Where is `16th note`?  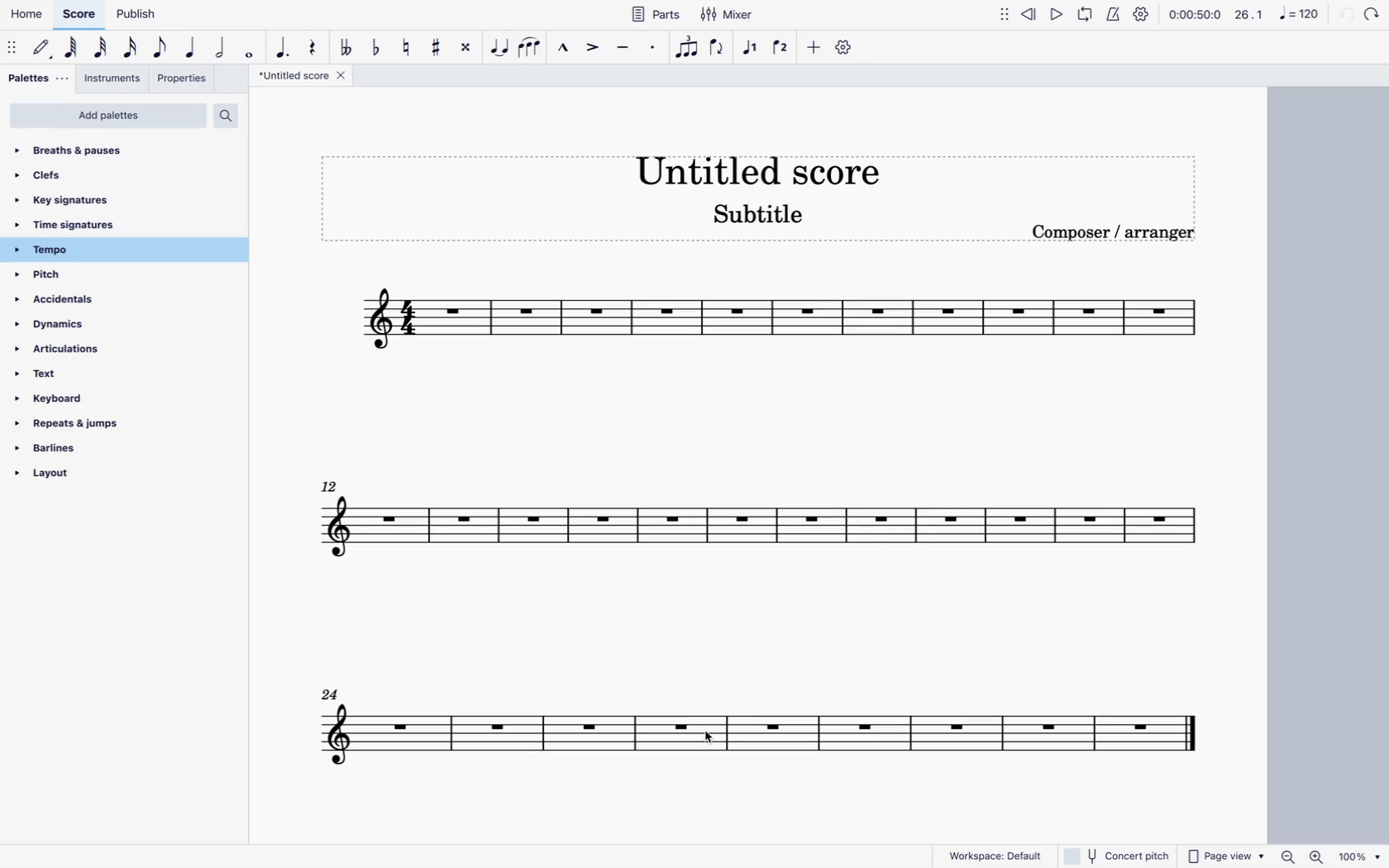
16th note is located at coordinates (131, 48).